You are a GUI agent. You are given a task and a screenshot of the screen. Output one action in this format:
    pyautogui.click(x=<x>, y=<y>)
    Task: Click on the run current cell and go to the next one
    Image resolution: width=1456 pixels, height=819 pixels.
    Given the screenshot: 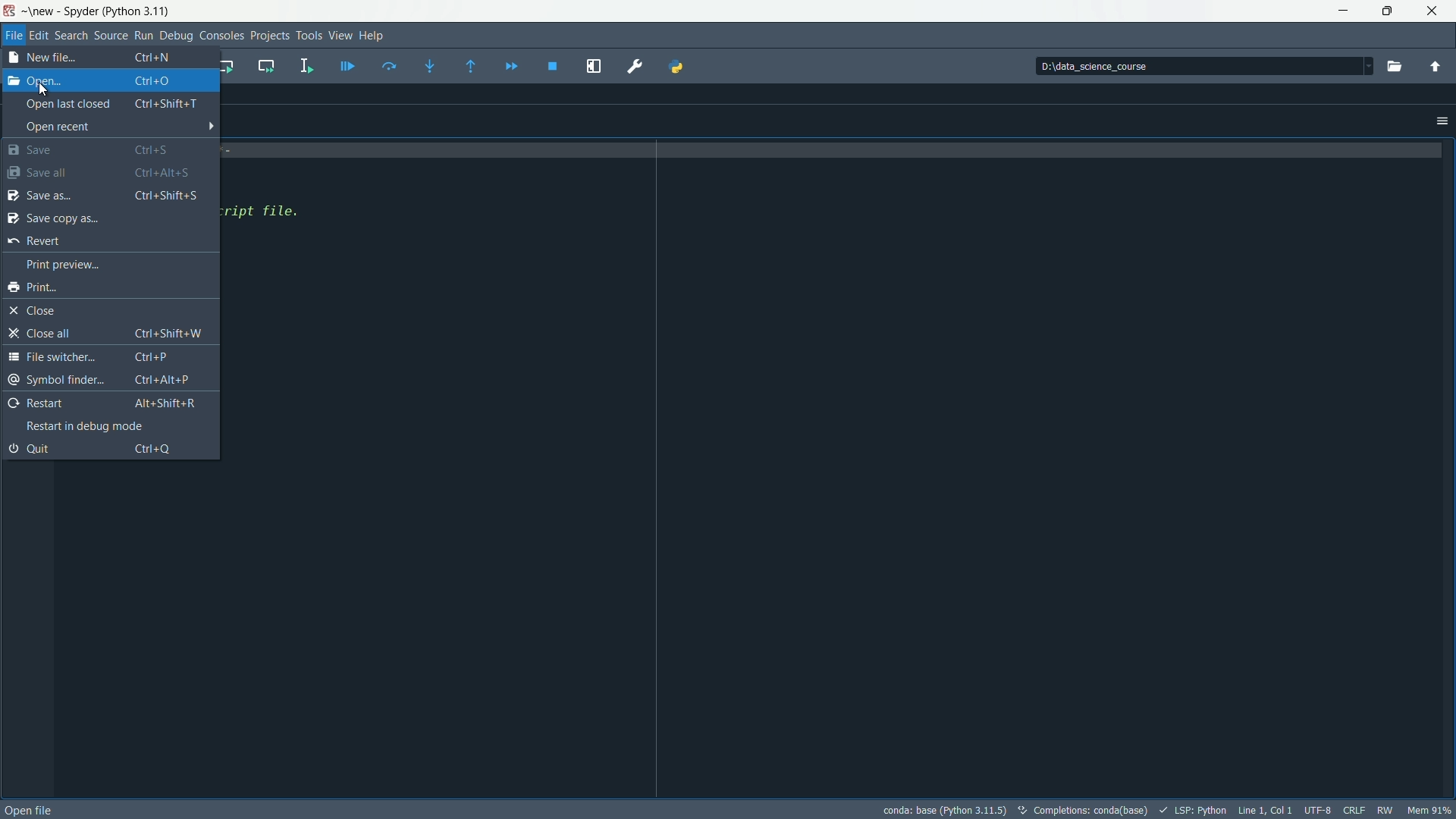 What is the action you would take?
    pyautogui.click(x=268, y=67)
    